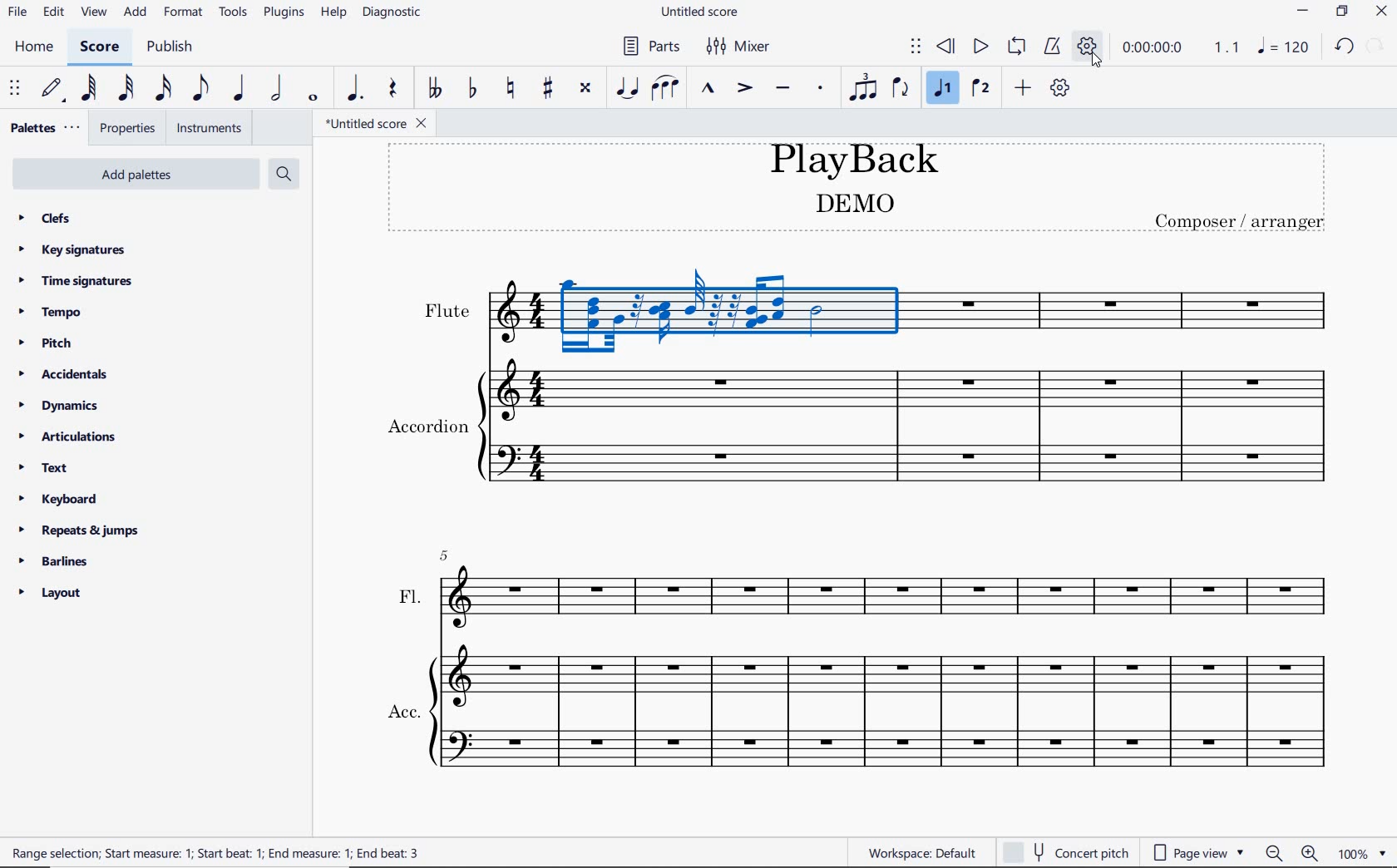 The image size is (1397, 868). Describe the element at coordinates (277, 89) in the screenshot. I see `half note` at that location.